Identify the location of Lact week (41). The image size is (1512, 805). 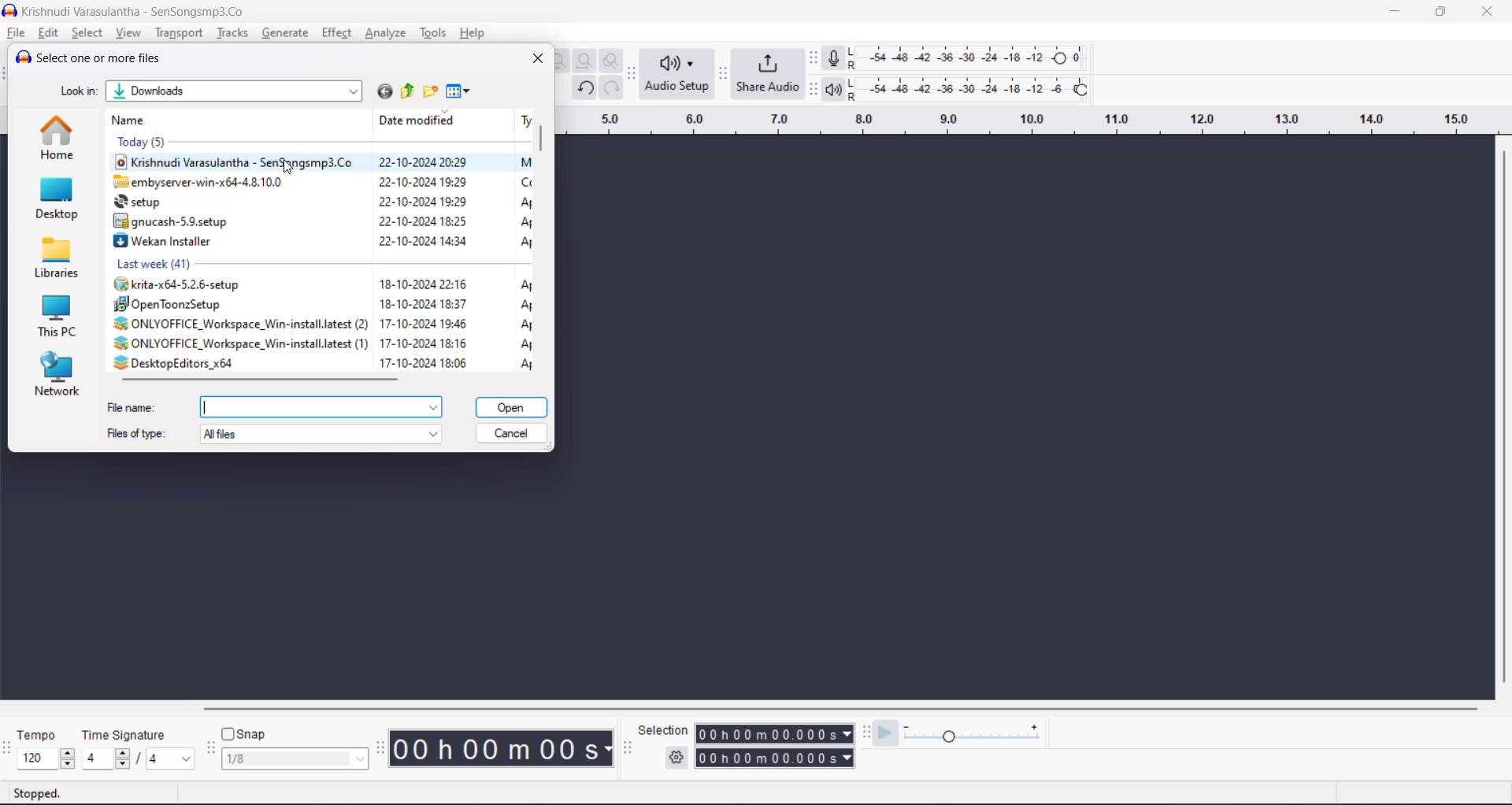
(310, 261).